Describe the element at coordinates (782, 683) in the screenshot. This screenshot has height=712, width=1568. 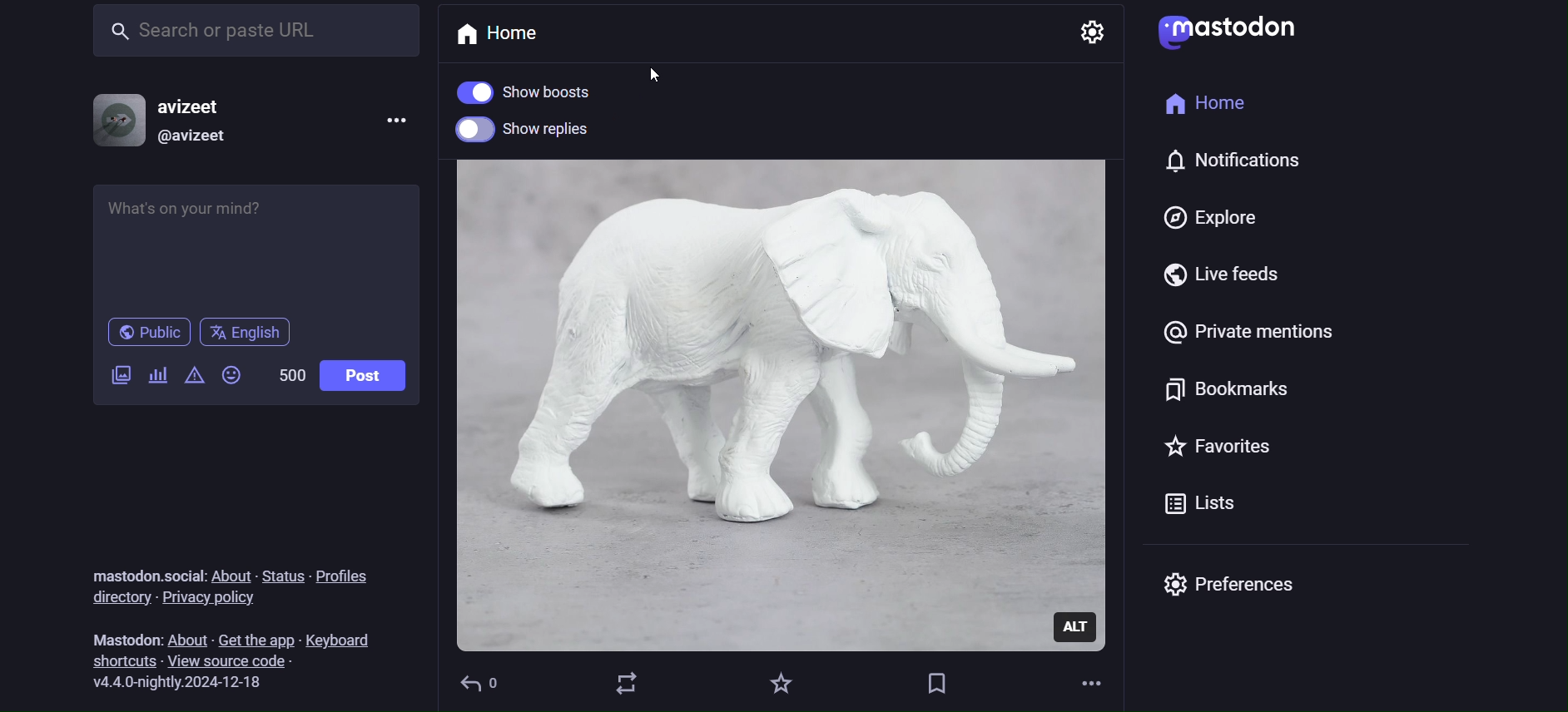
I see `favorites` at that location.